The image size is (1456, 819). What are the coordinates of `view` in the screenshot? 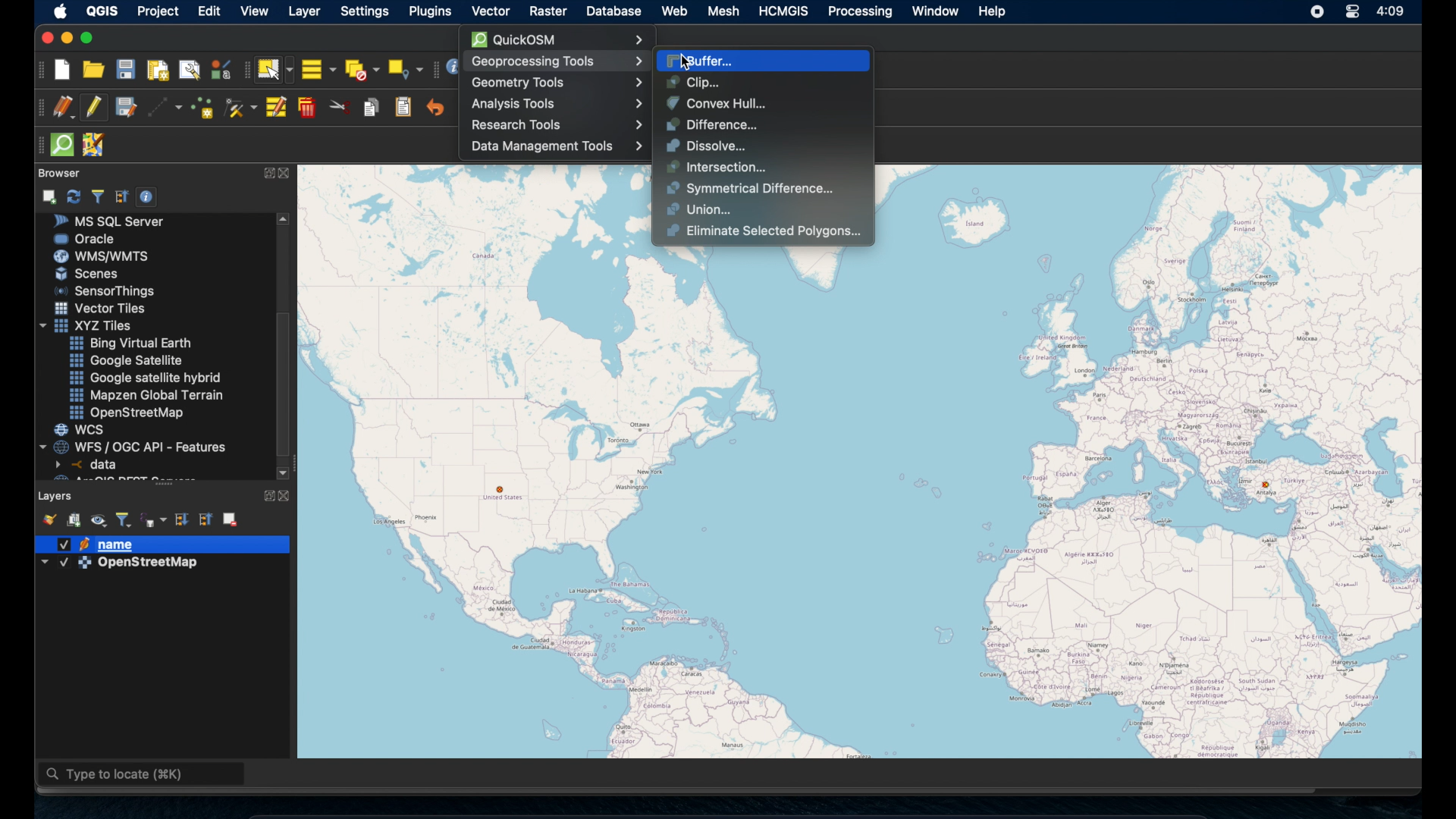 It's located at (254, 12).